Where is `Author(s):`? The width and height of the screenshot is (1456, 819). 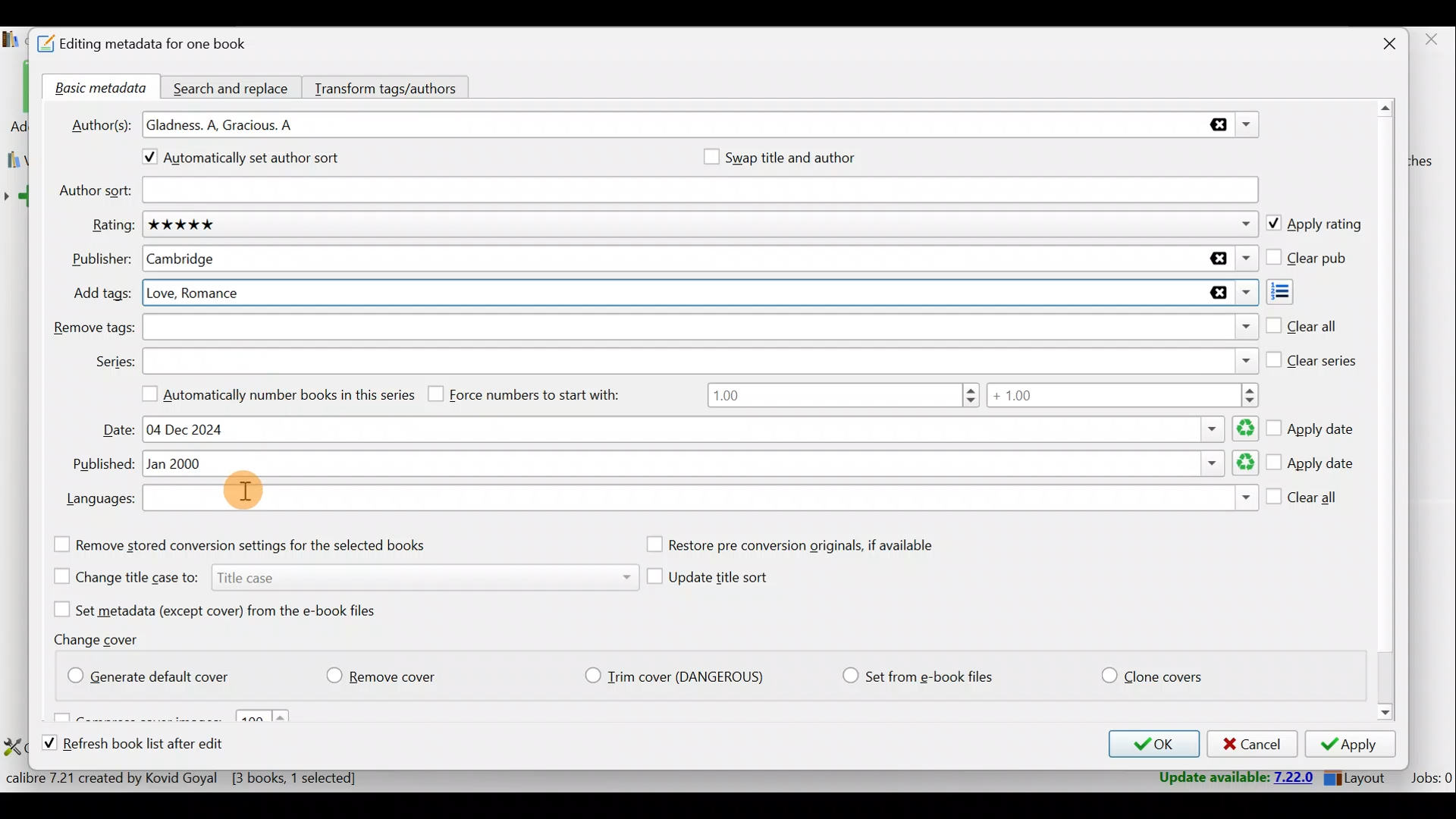
Author(s): is located at coordinates (101, 123).